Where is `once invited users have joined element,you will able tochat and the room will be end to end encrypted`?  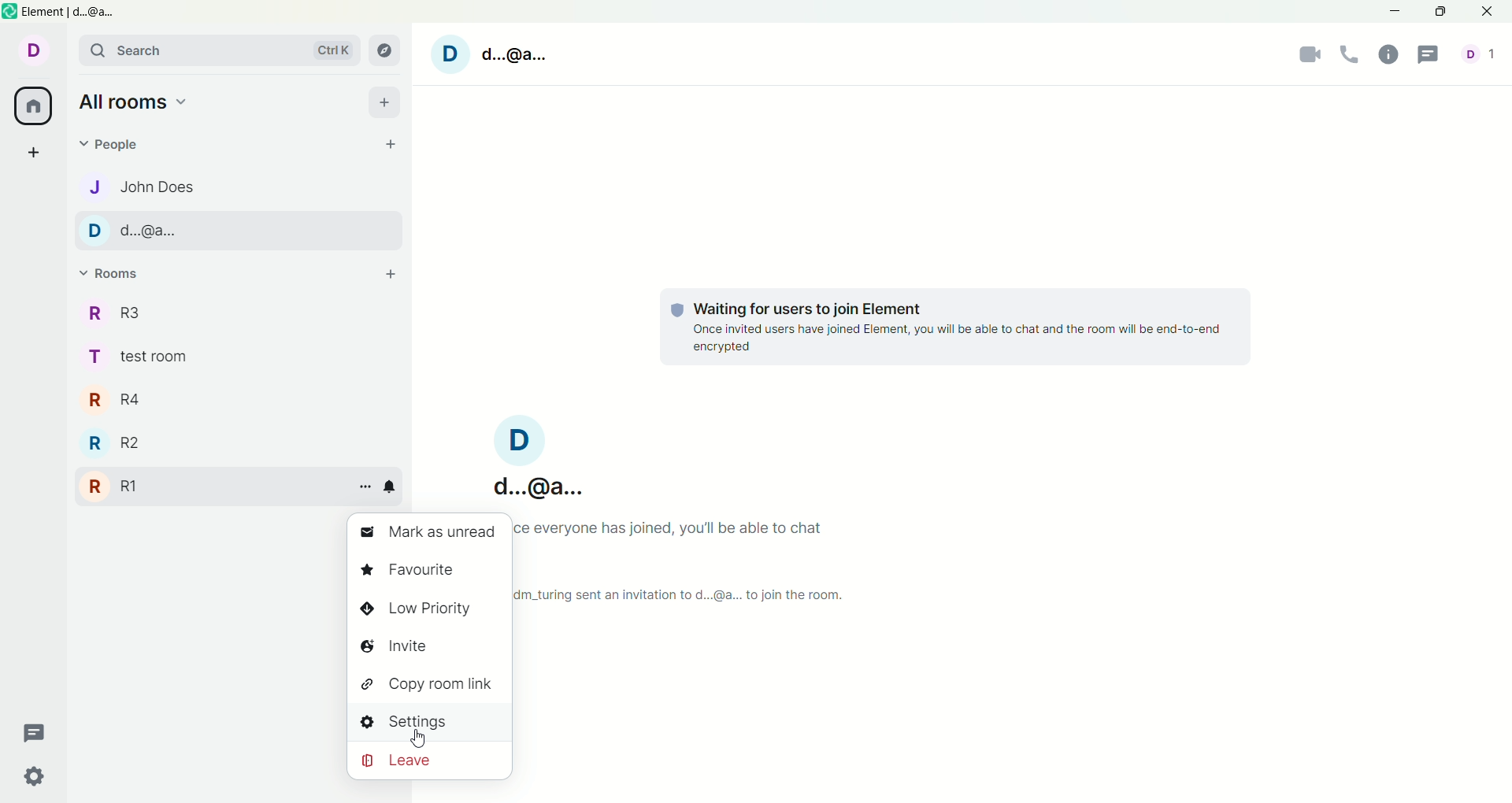 once invited users have joined element,you will able tochat and the room will be end to end encrypted is located at coordinates (963, 342).